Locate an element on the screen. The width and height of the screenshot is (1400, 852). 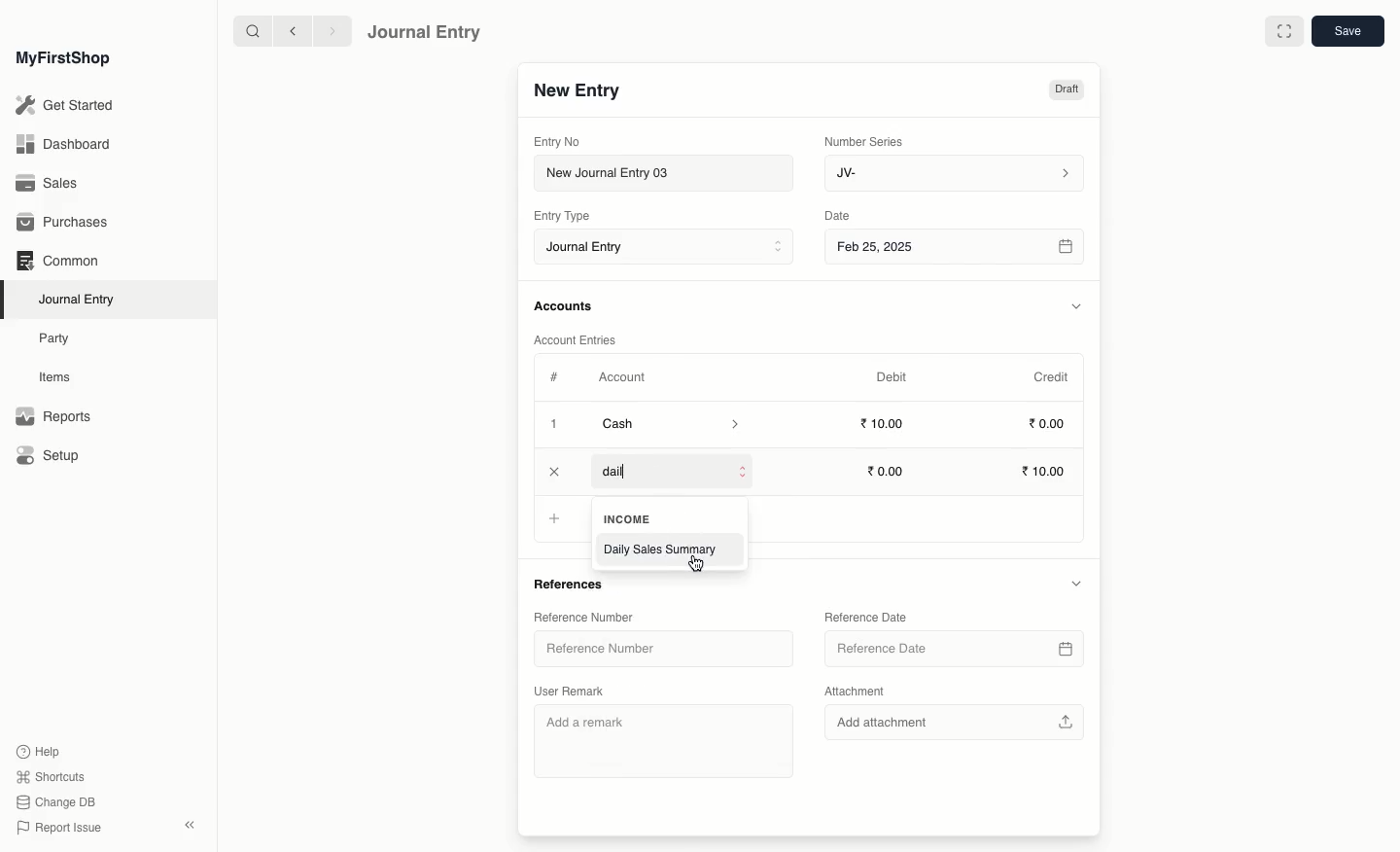
search is located at coordinates (248, 31).